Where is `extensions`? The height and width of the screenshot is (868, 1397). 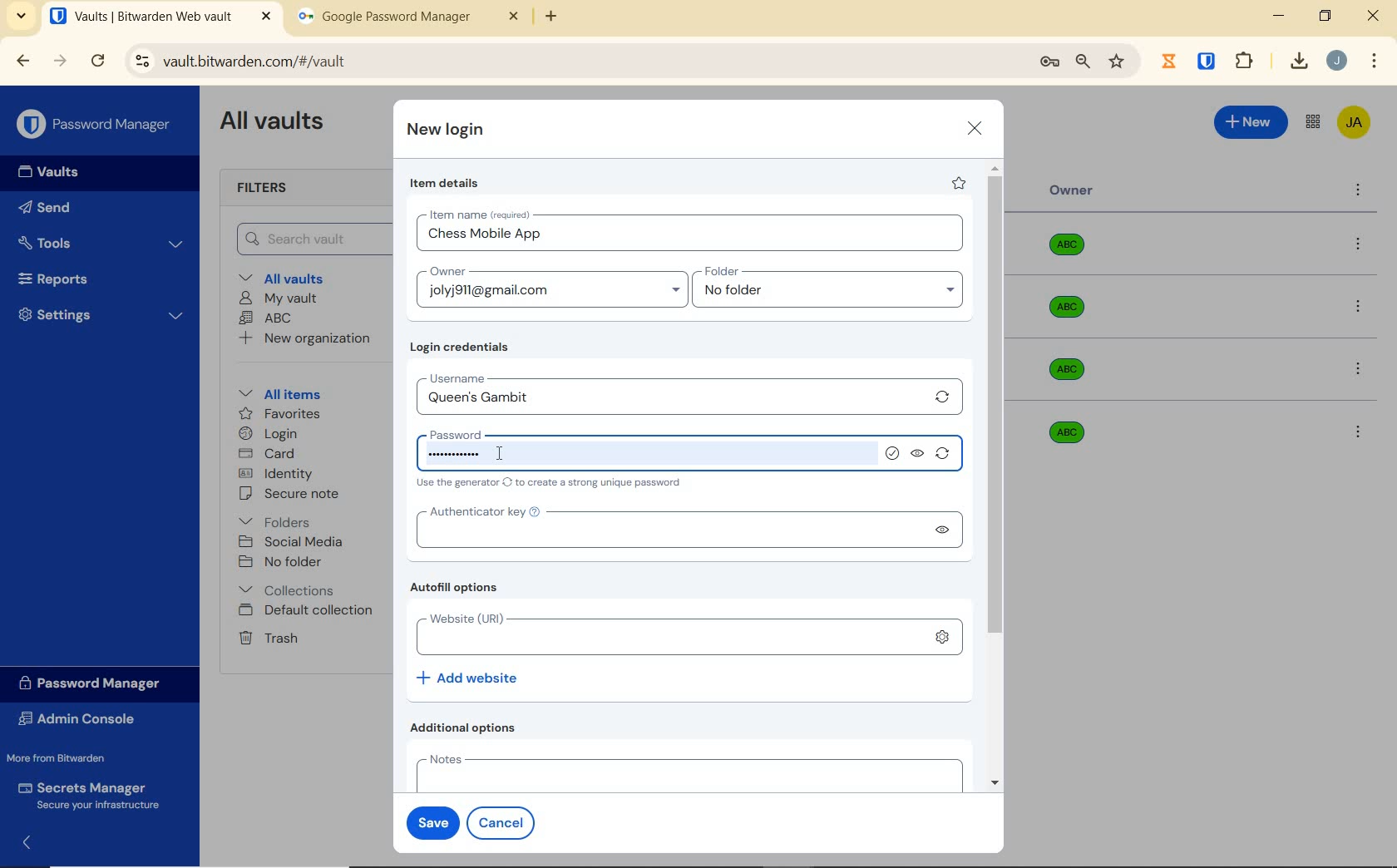
extensions is located at coordinates (1208, 60).